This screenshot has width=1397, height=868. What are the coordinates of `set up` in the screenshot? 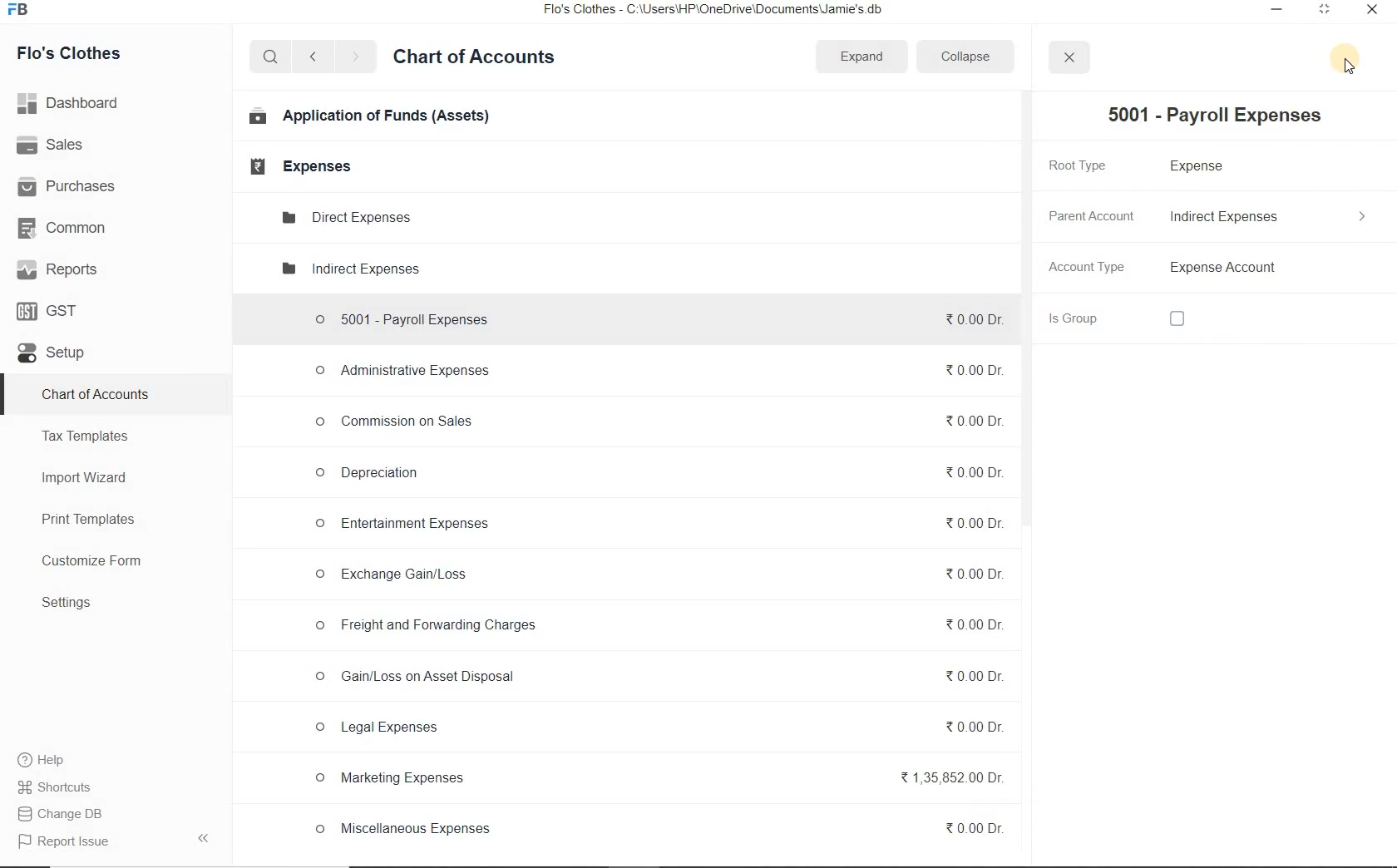 It's located at (52, 354).